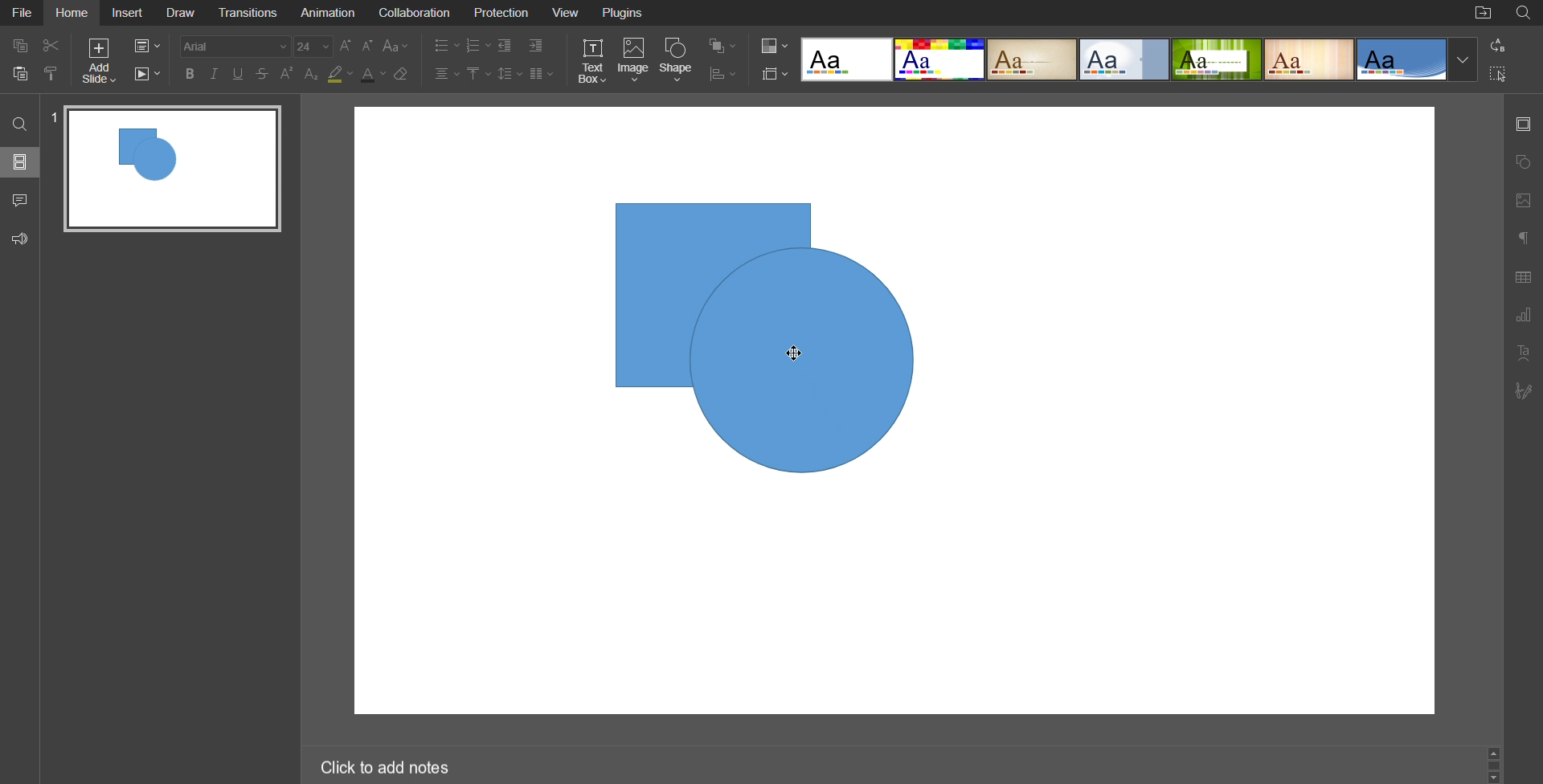 The width and height of the screenshot is (1543, 784). What do you see at coordinates (1525, 14) in the screenshot?
I see `Search` at bounding box center [1525, 14].